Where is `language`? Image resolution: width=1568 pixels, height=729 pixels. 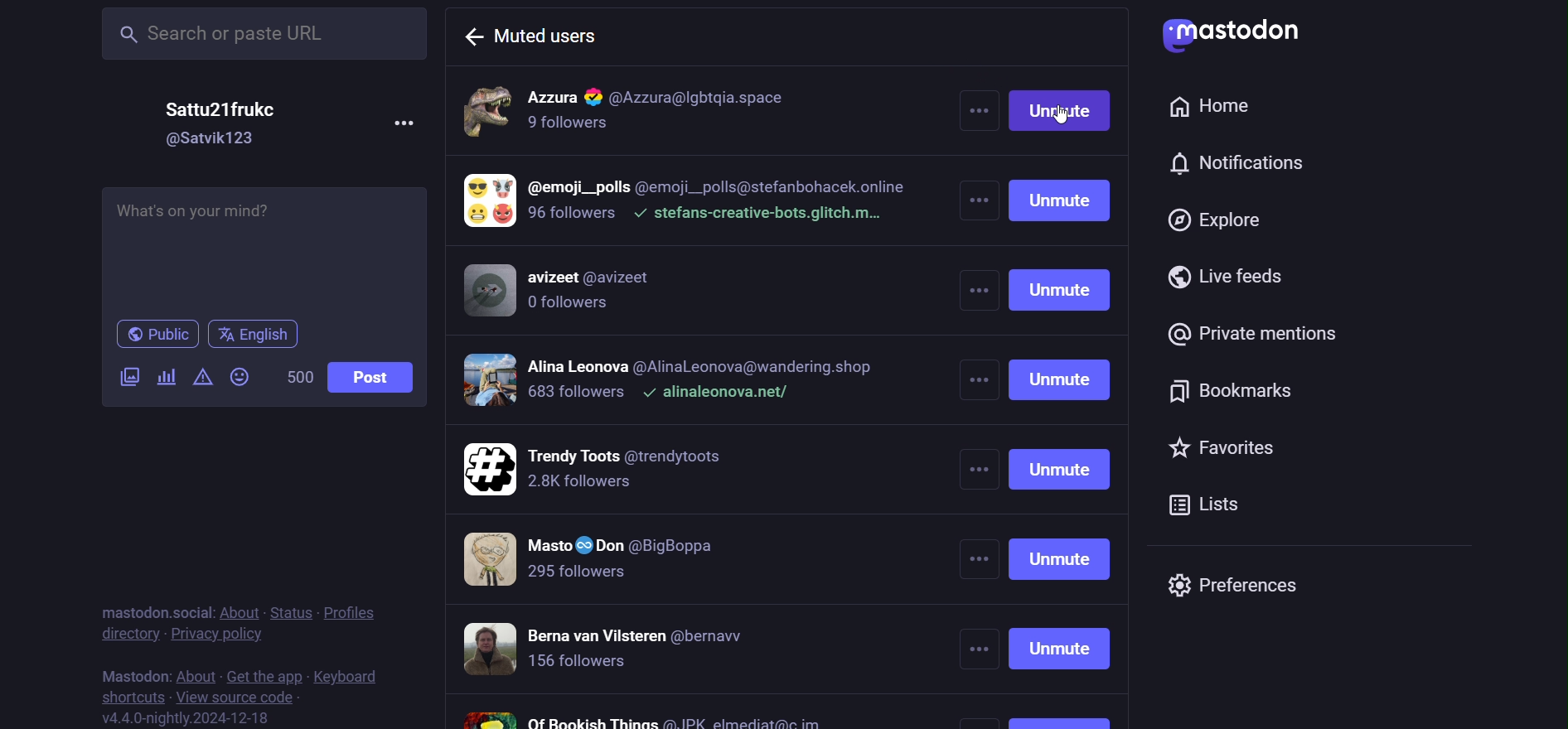 language is located at coordinates (259, 332).